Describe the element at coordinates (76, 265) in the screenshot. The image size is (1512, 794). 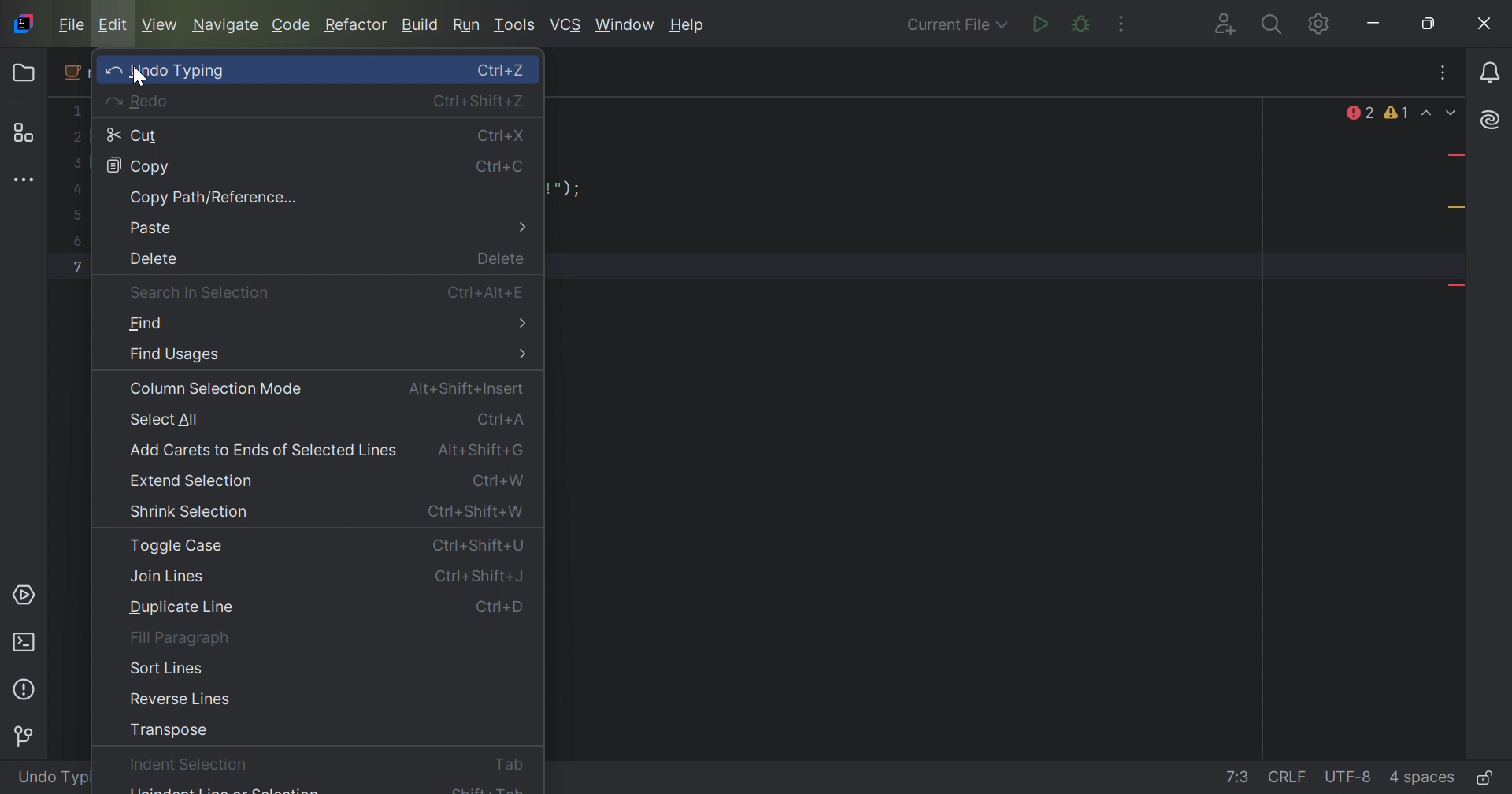
I see `7` at that location.